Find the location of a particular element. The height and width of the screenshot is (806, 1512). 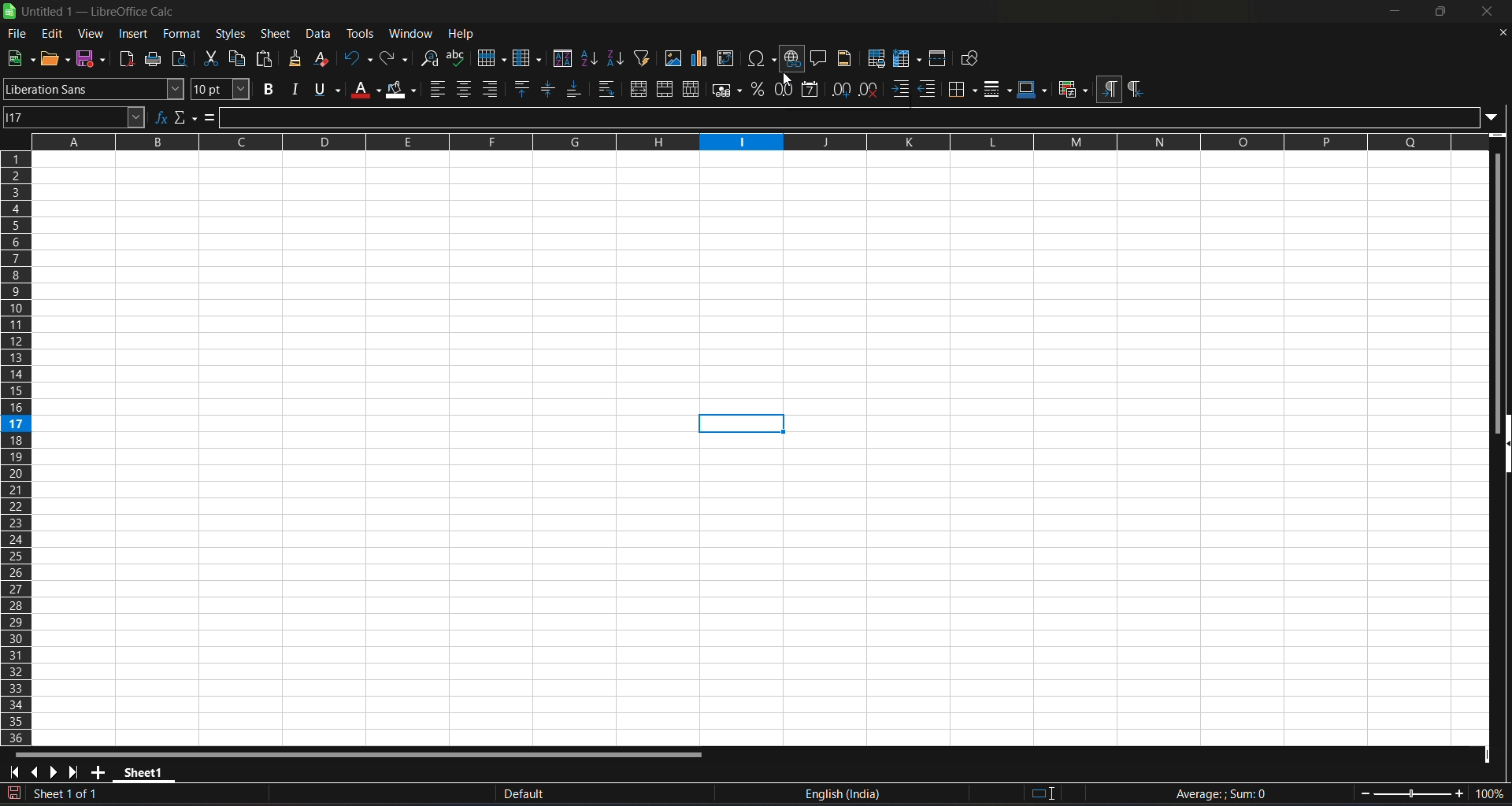

text language  is located at coordinates (904, 794).